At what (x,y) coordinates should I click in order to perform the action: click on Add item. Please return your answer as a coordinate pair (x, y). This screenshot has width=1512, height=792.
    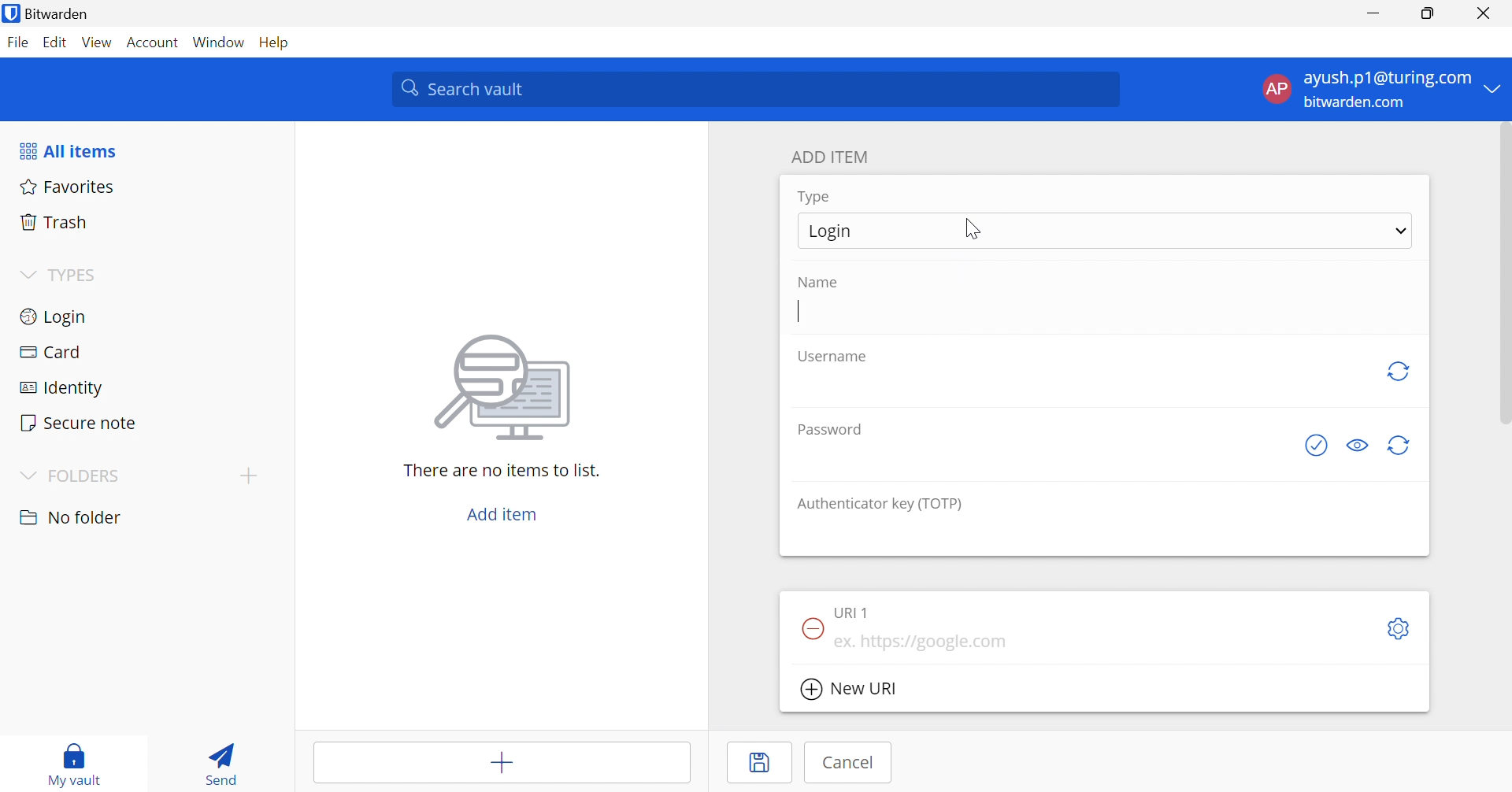
    Looking at the image, I should click on (502, 763).